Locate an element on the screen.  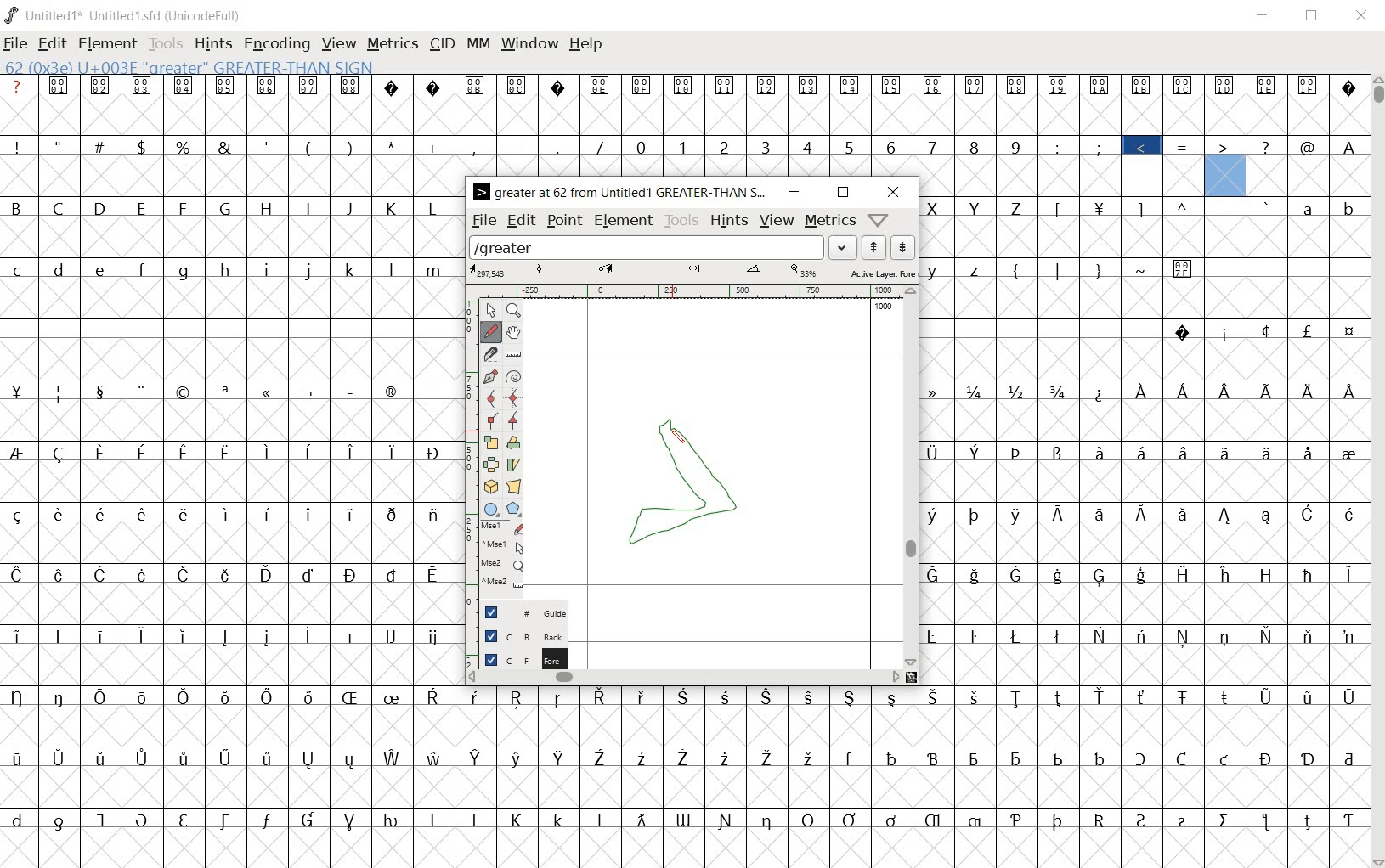
Untitled1 Untitled1.sfd (UnicodeFull) is located at coordinates (123, 13).